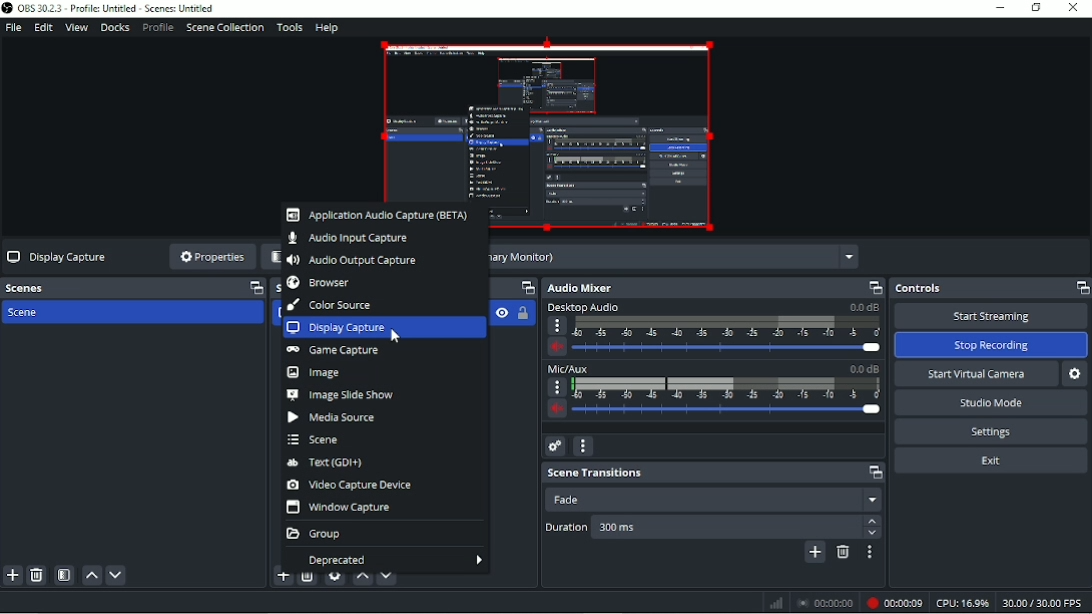  What do you see at coordinates (327, 28) in the screenshot?
I see `Help` at bounding box center [327, 28].